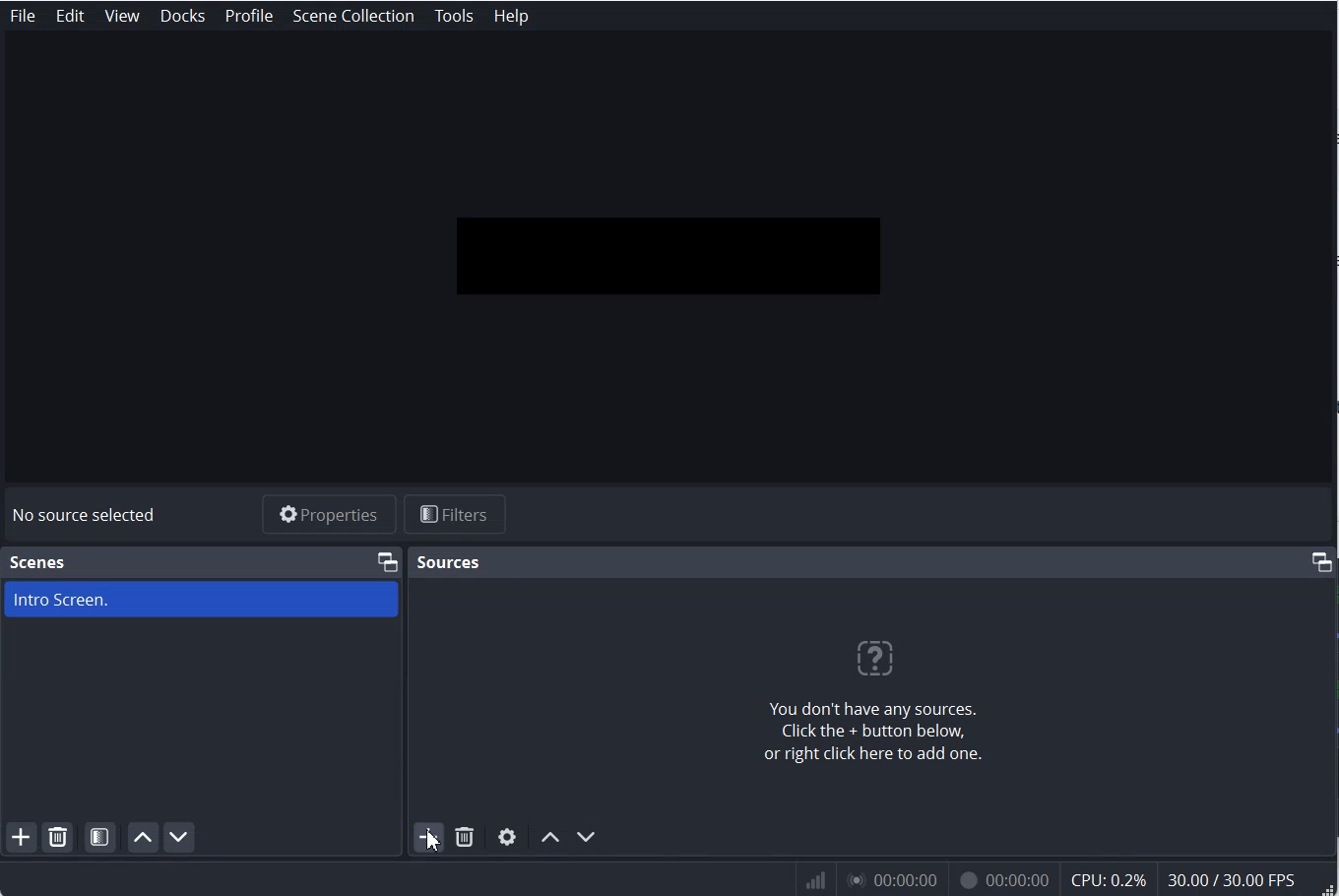 The height and width of the screenshot is (896, 1339). What do you see at coordinates (440, 840) in the screenshot?
I see `Cursor` at bounding box center [440, 840].